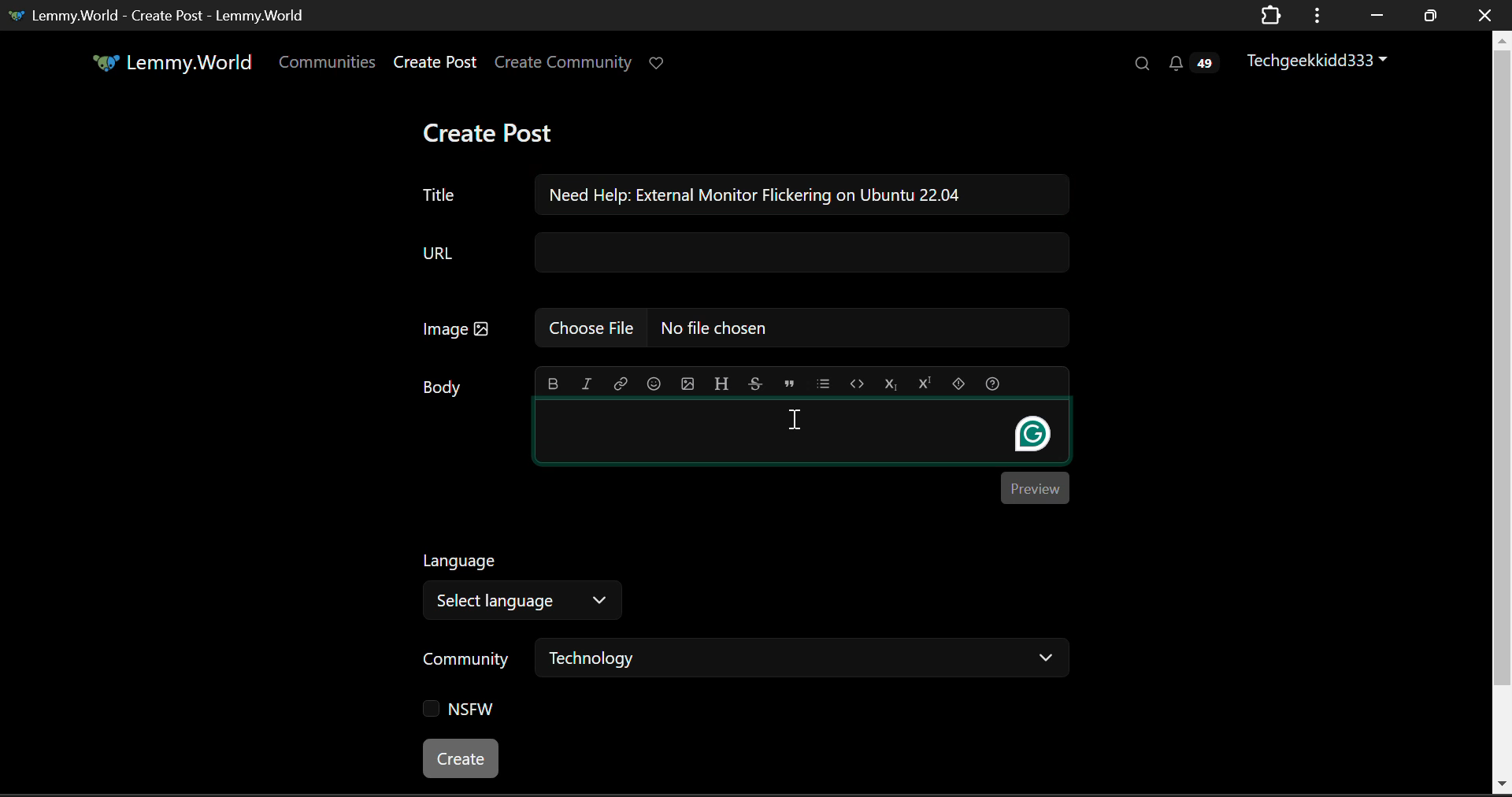 The height and width of the screenshot is (797, 1512). Describe the element at coordinates (460, 712) in the screenshot. I see `NSFW Checkbox` at that location.